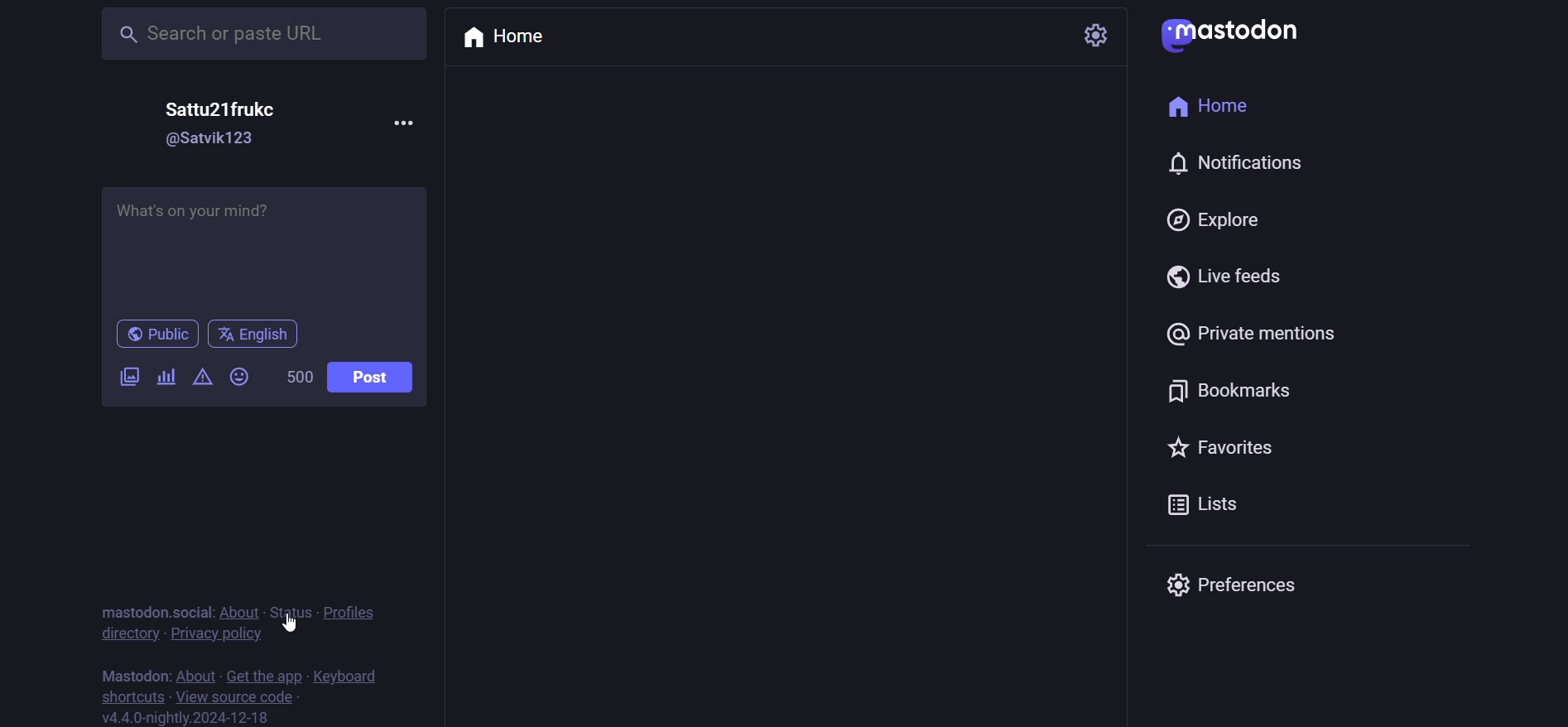 Image resolution: width=1568 pixels, height=727 pixels. Describe the element at coordinates (375, 379) in the screenshot. I see `post` at that location.